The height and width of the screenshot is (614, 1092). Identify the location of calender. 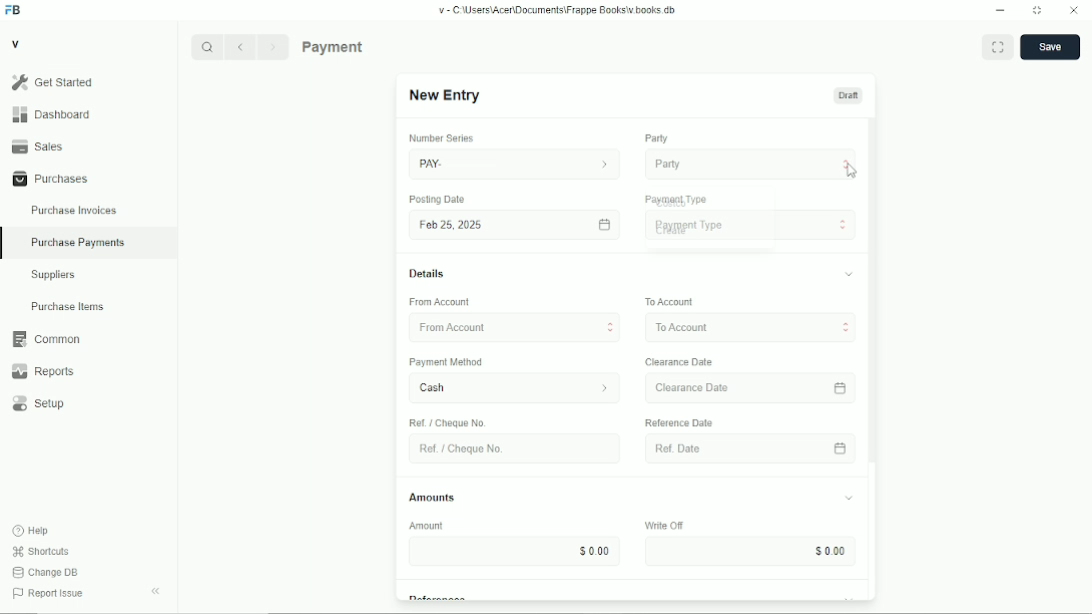
(843, 386).